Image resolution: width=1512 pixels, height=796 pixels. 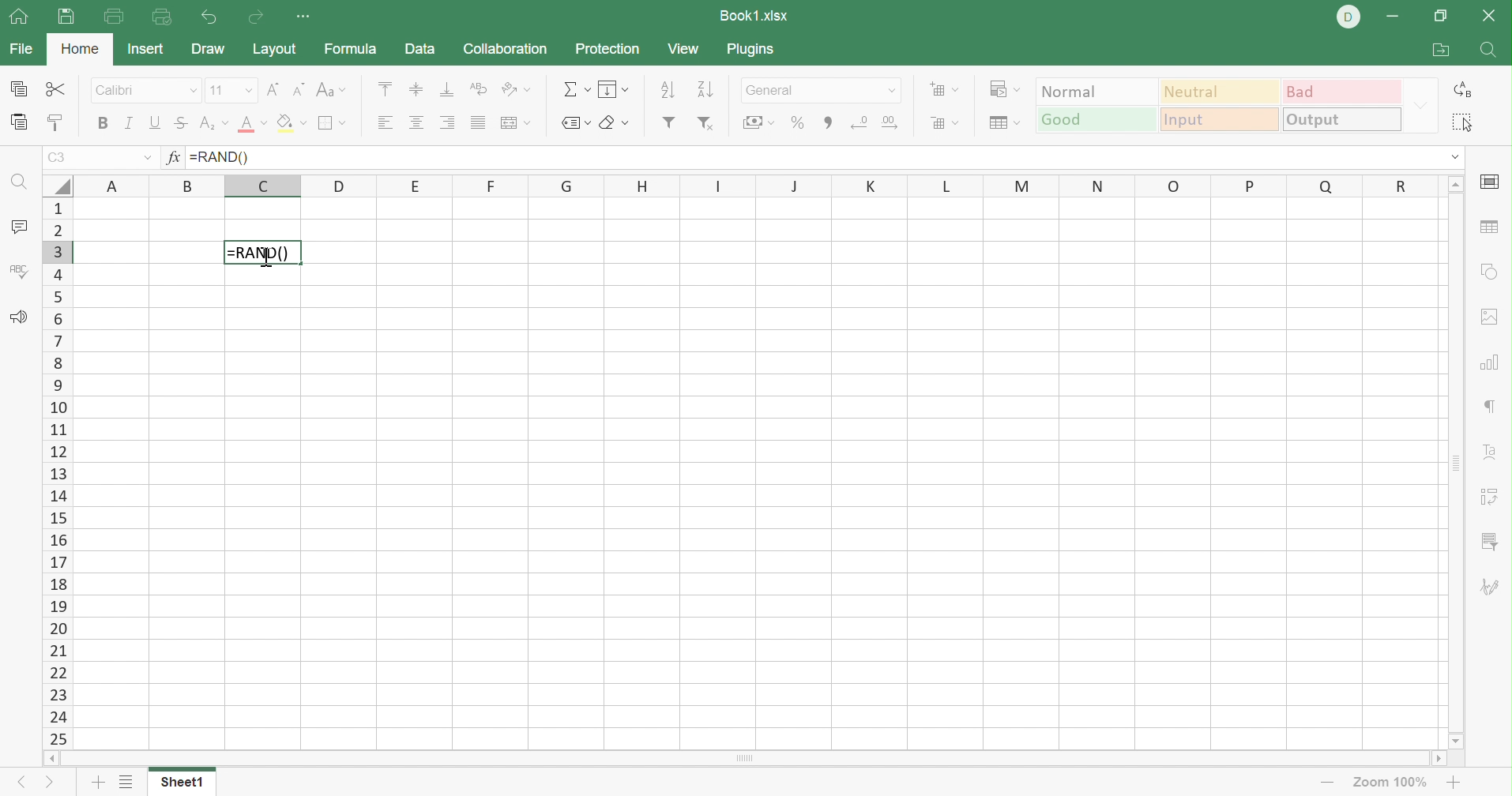 I want to click on Chart settings, so click(x=1488, y=361).